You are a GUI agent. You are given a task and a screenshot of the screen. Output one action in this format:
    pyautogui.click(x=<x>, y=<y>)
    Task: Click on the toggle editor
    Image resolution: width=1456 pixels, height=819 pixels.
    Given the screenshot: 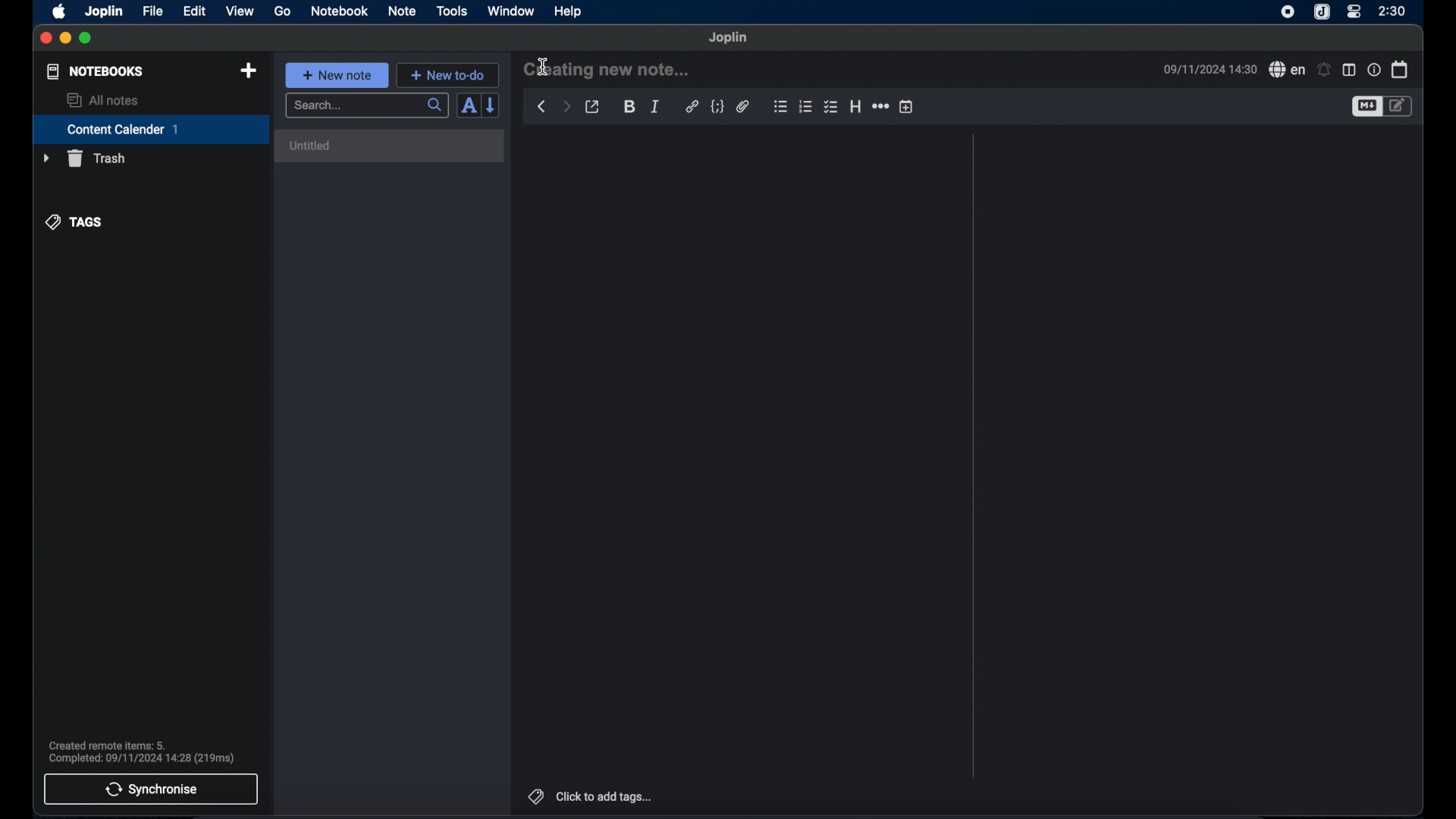 What is the action you would take?
    pyautogui.click(x=1401, y=106)
    